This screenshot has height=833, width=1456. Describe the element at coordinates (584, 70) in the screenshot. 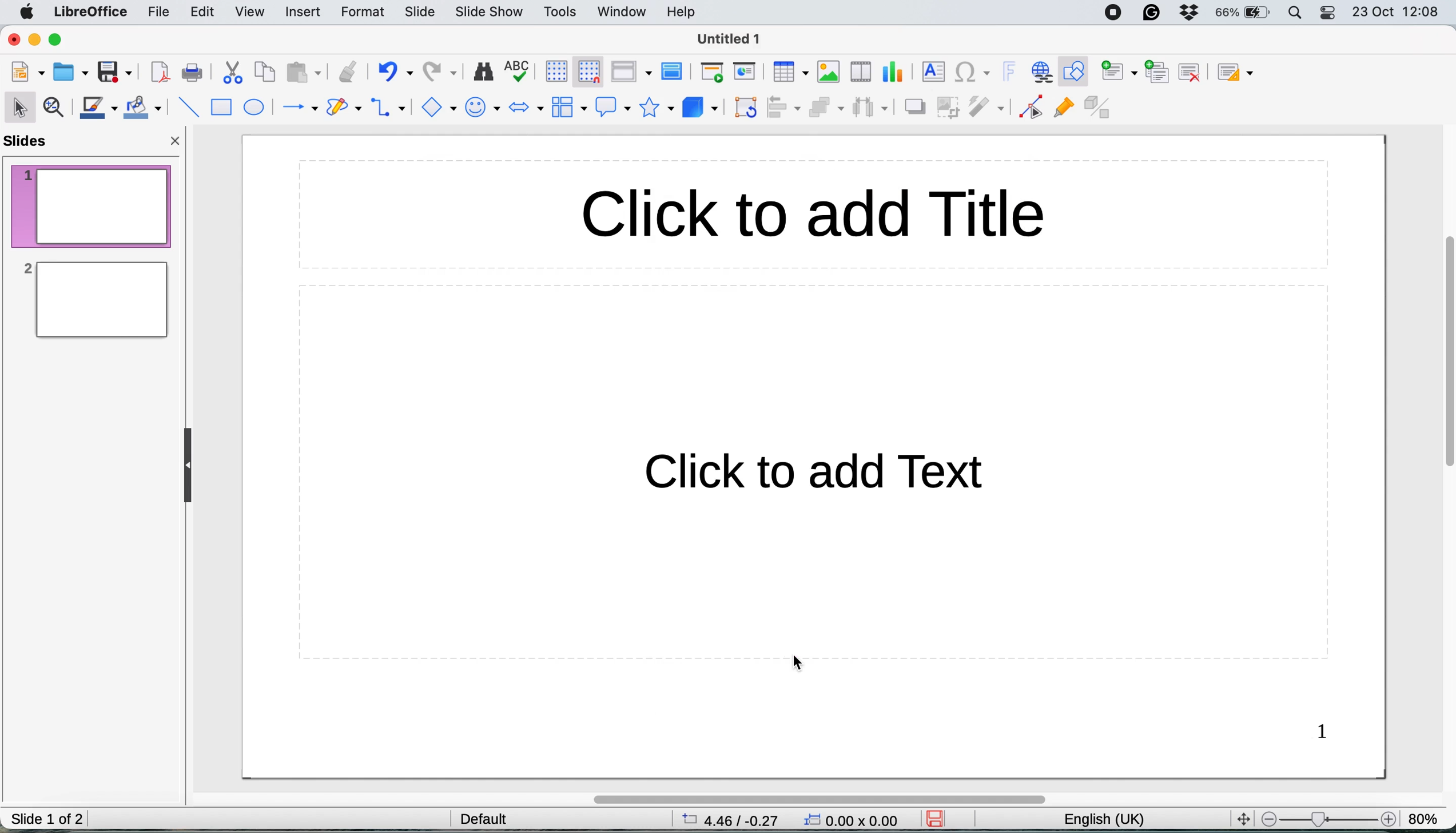

I see `snap to grid` at that location.